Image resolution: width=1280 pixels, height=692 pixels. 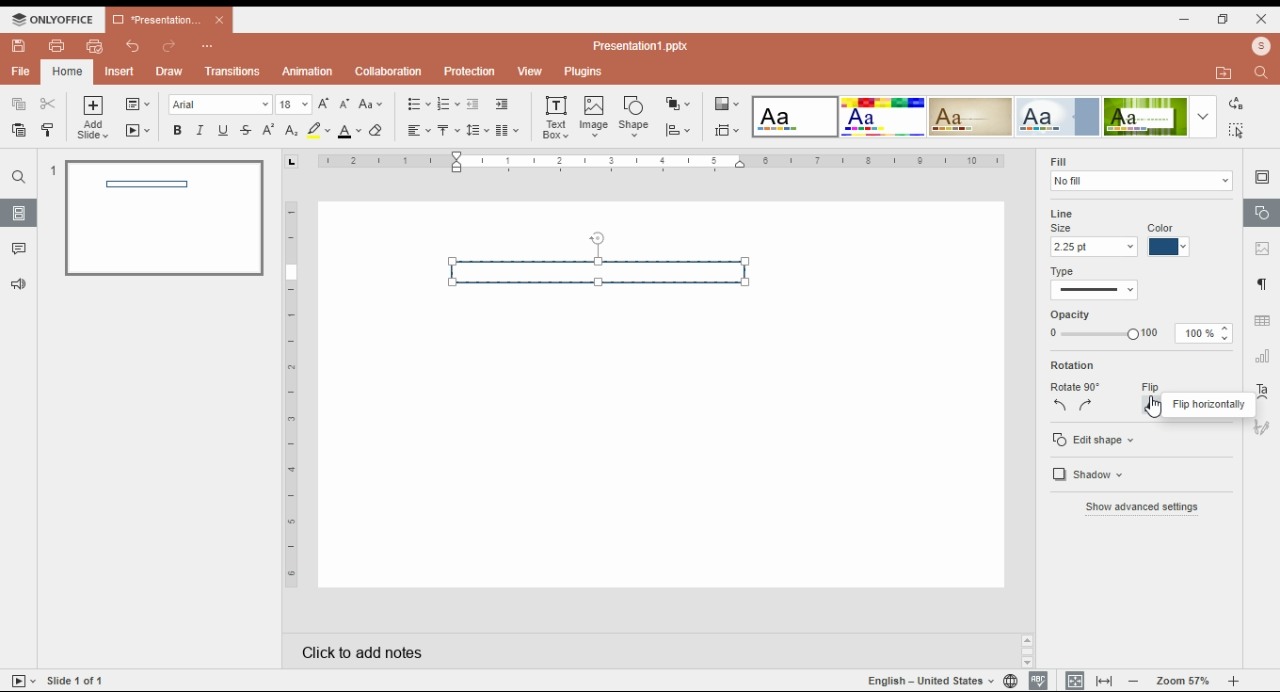 What do you see at coordinates (971, 116) in the screenshot?
I see `color theme` at bounding box center [971, 116].